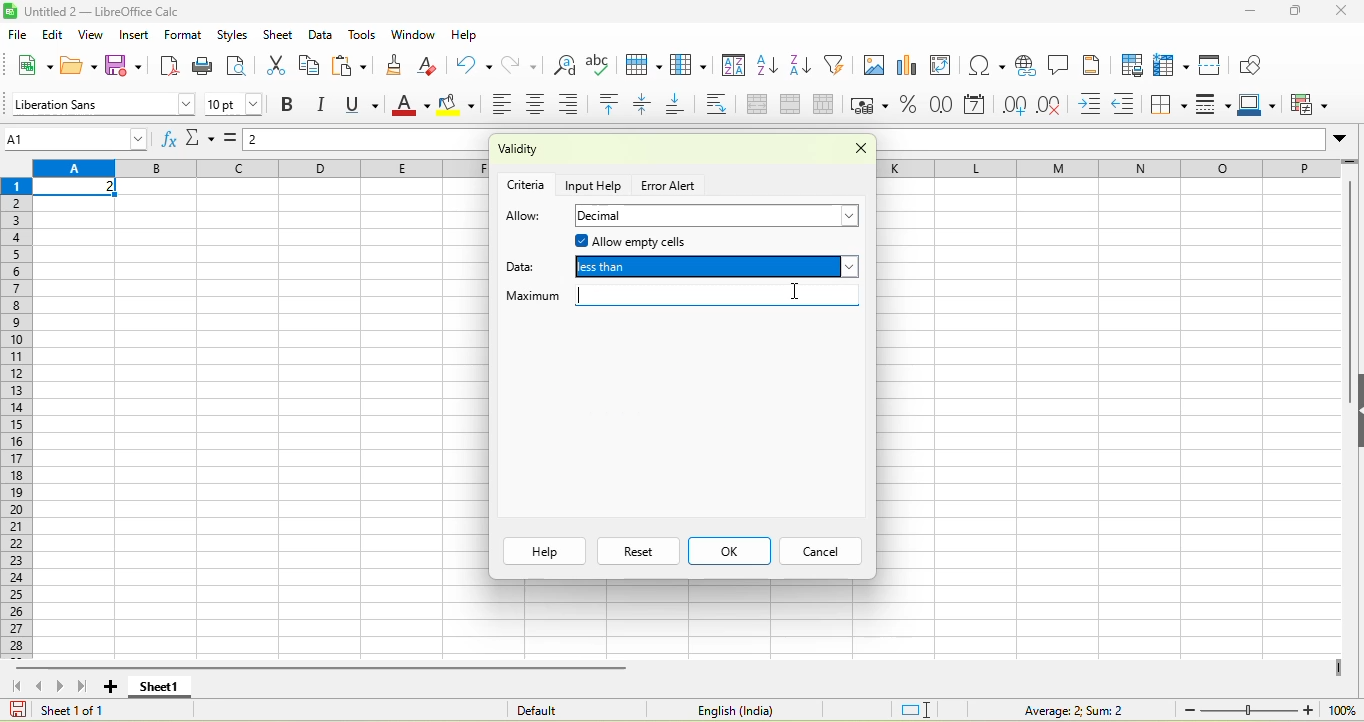 The image size is (1364, 722). What do you see at coordinates (734, 68) in the screenshot?
I see `sort` at bounding box center [734, 68].